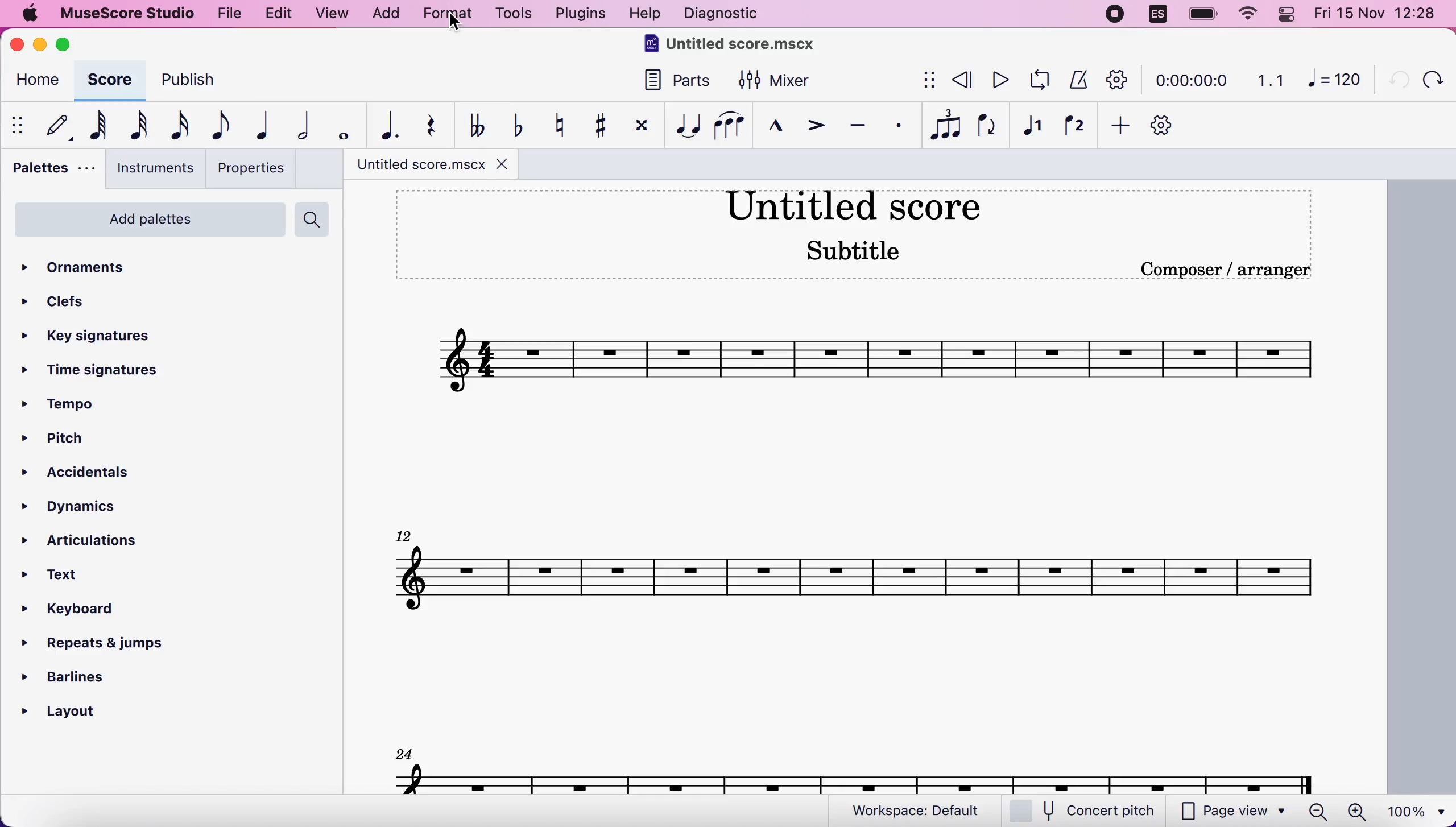 The height and width of the screenshot is (827, 1456). Describe the element at coordinates (555, 125) in the screenshot. I see `toggle natural` at that location.